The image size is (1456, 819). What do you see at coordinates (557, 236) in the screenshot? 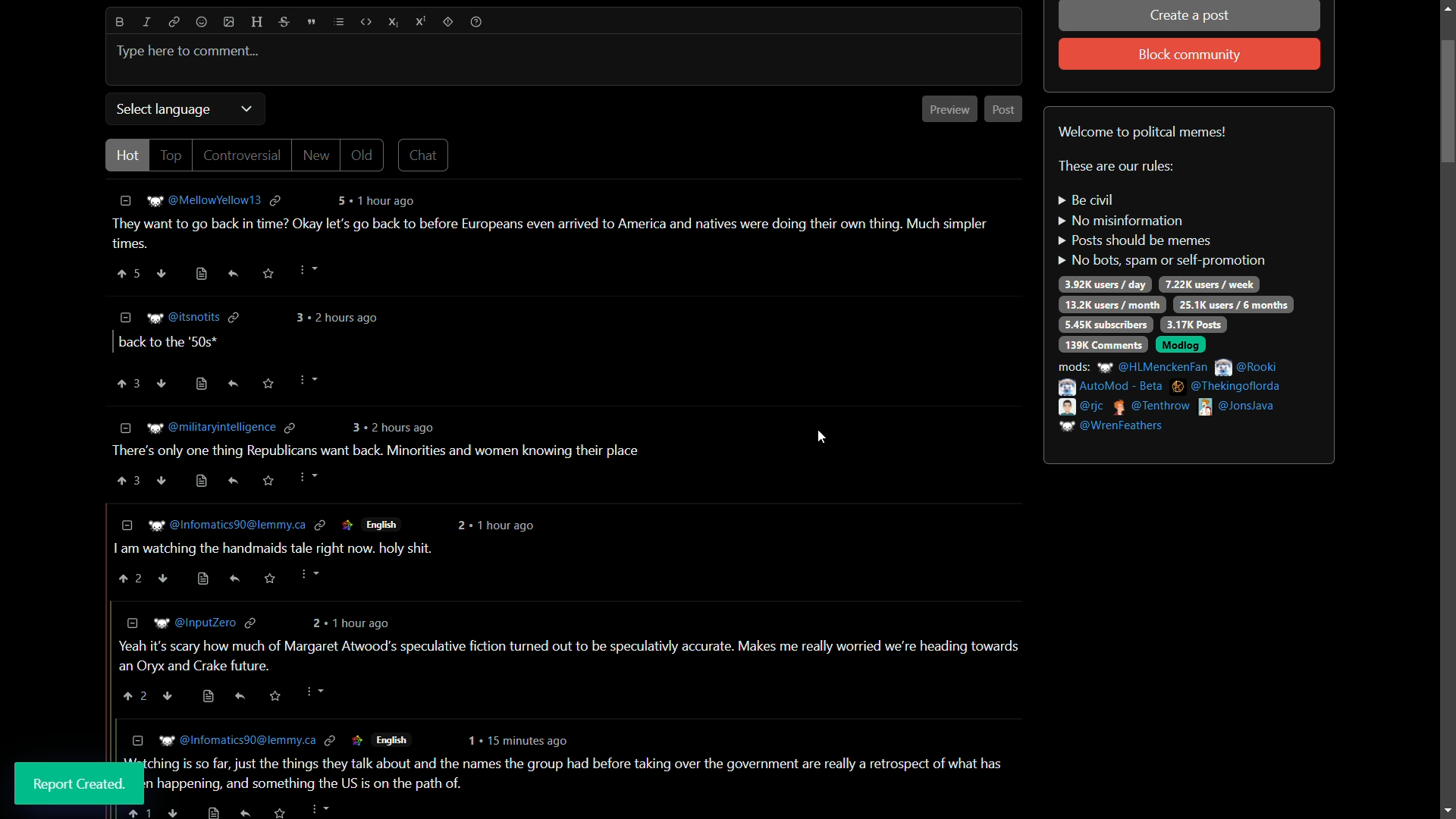
I see `comment-1` at bounding box center [557, 236].